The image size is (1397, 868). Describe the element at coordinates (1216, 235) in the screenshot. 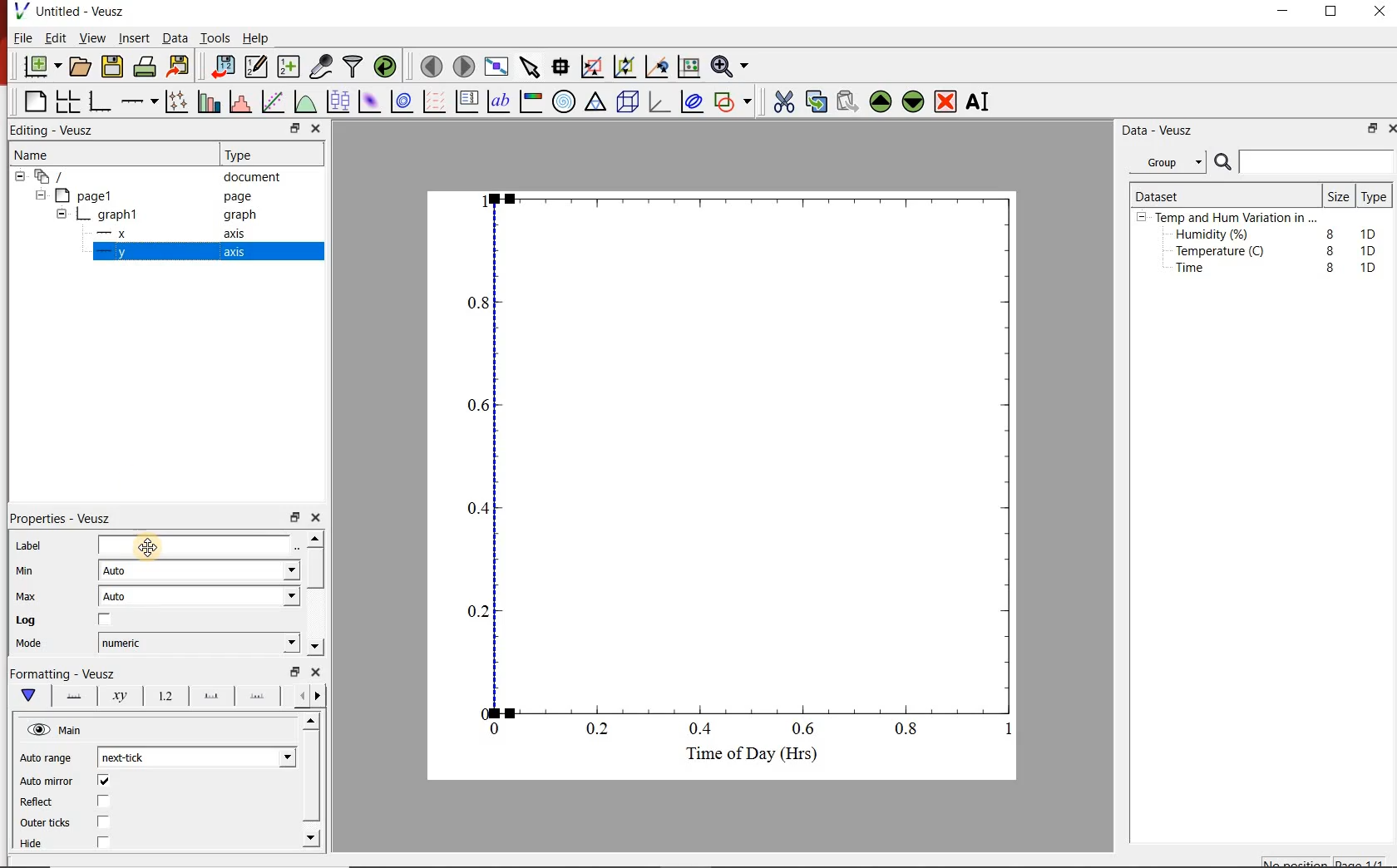

I see `Humidity (%)` at that location.